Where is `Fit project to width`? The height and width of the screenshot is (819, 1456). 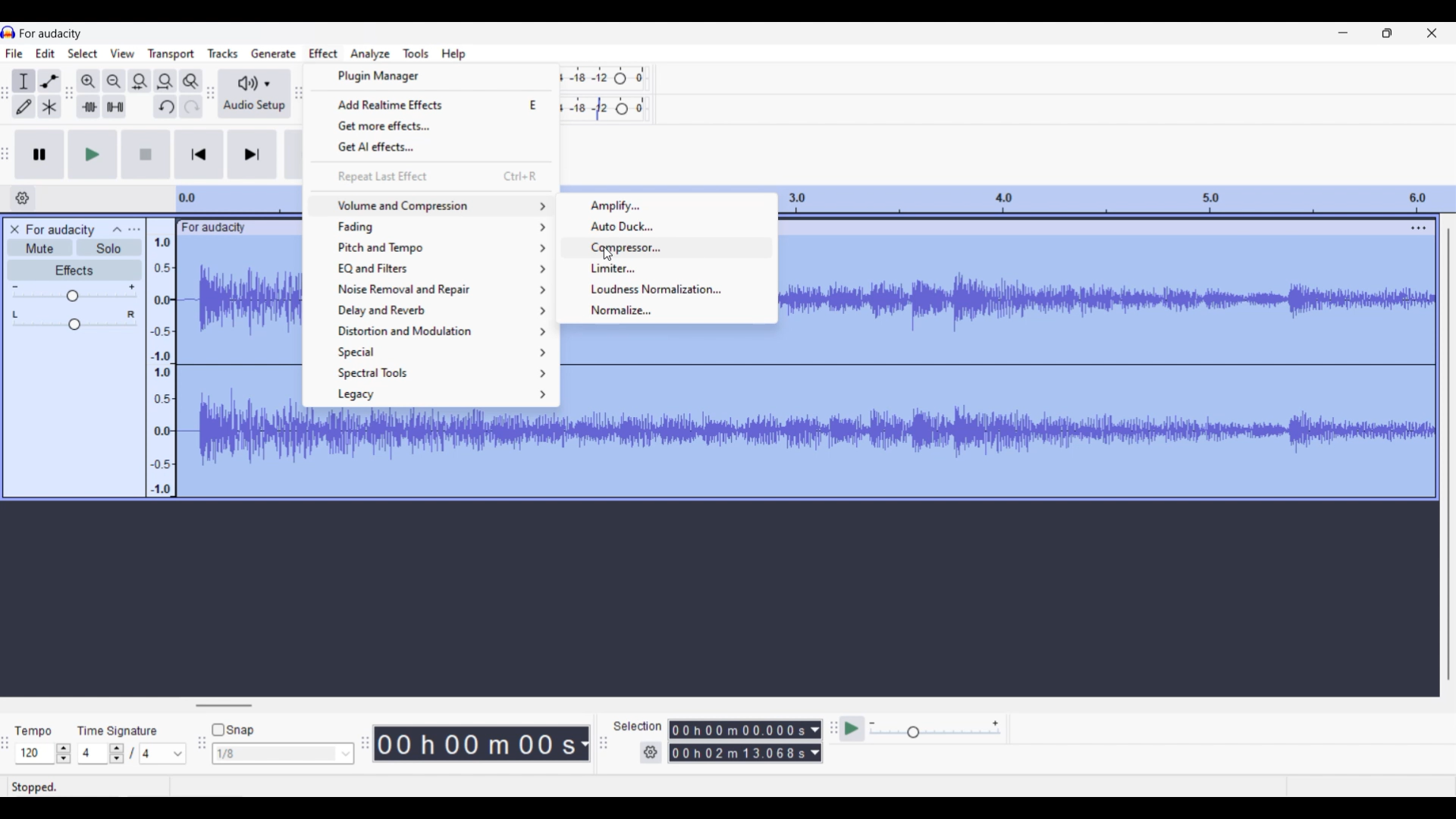
Fit project to width is located at coordinates (165, 80).